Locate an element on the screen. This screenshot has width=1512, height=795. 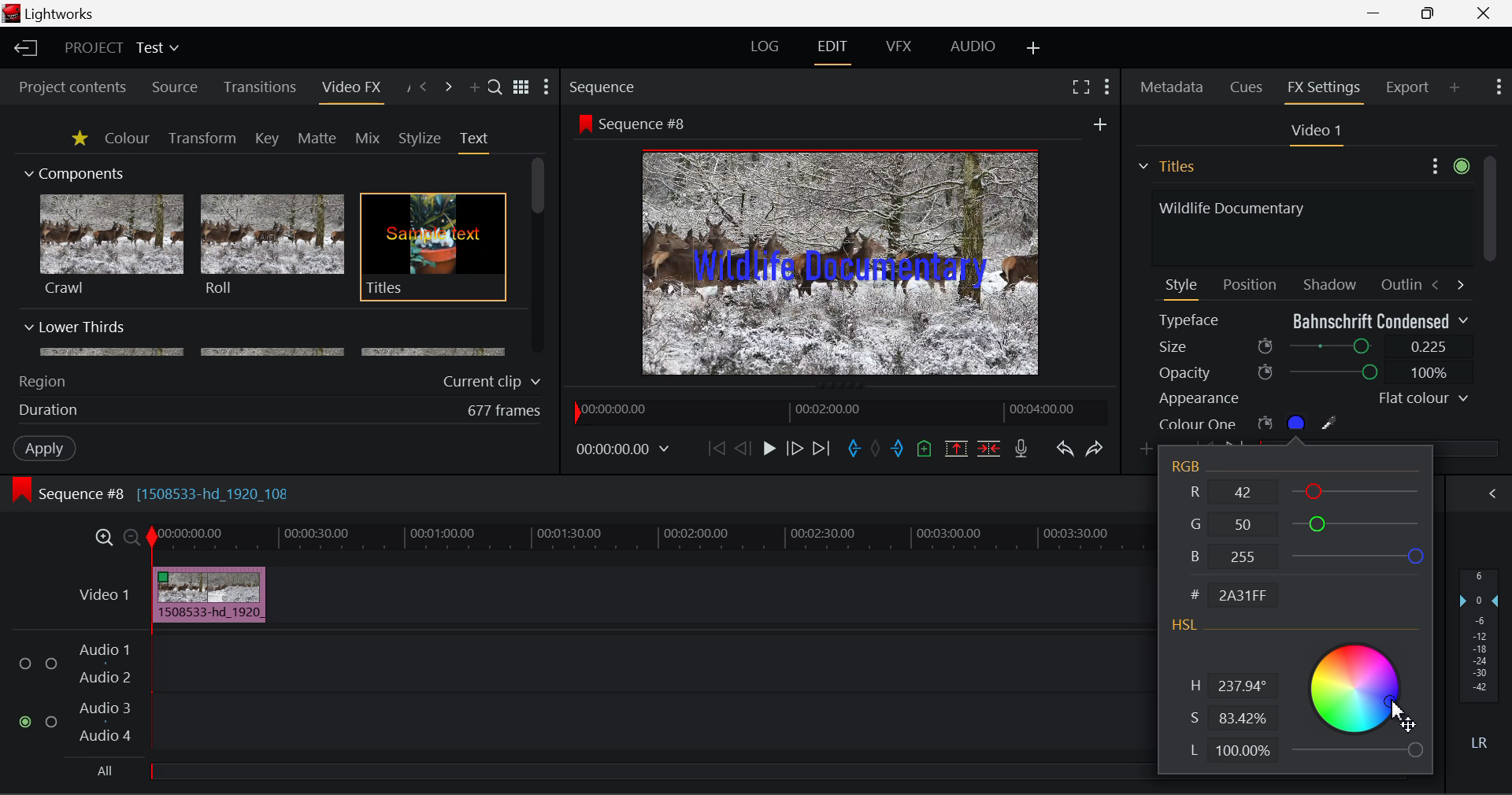
FX Settings Open is located at coordinates (1326, 90).